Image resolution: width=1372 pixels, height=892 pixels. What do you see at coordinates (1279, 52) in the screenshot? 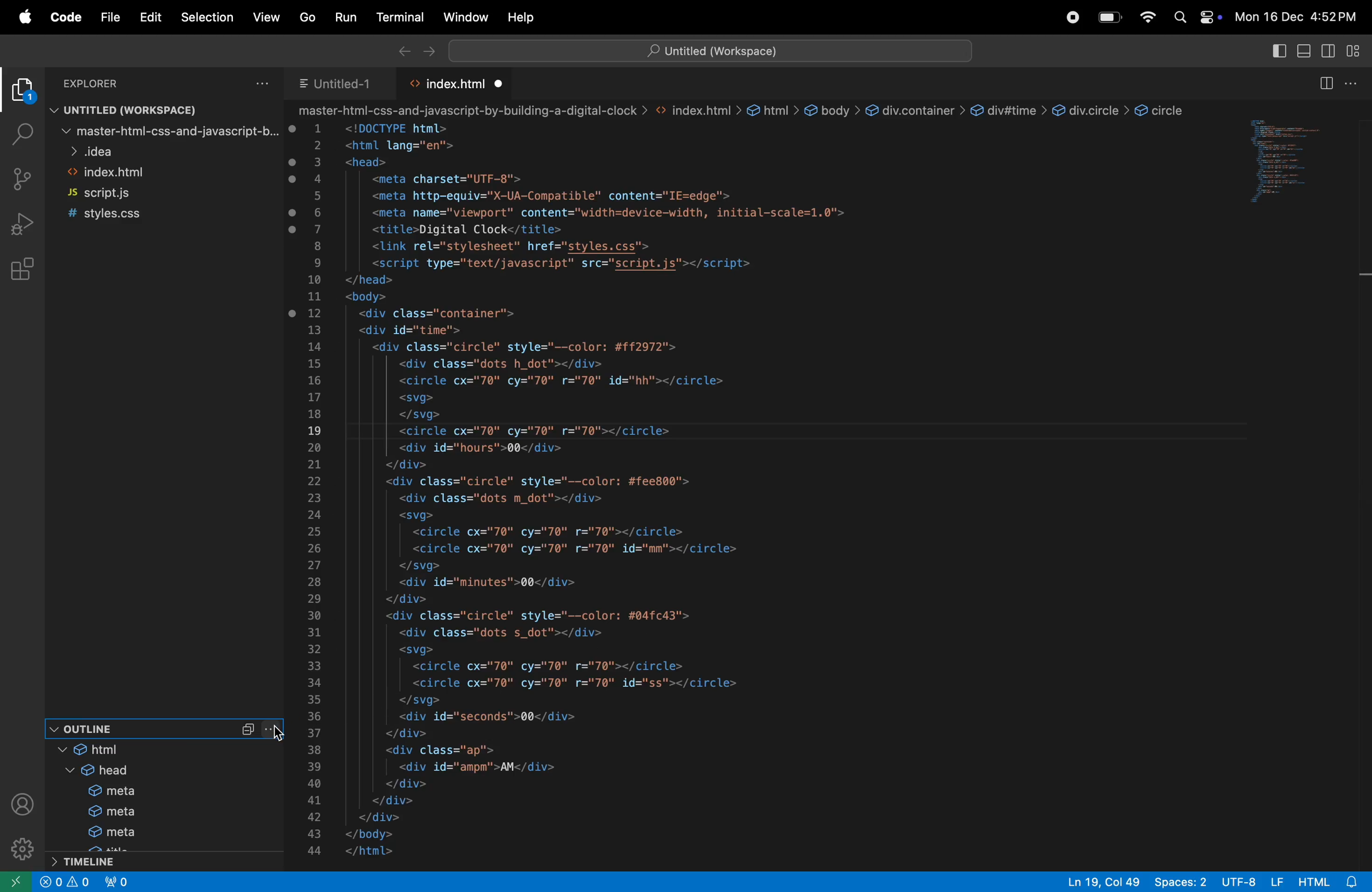
I see `toggle primary side bar` at bounding box center [1279, 52].